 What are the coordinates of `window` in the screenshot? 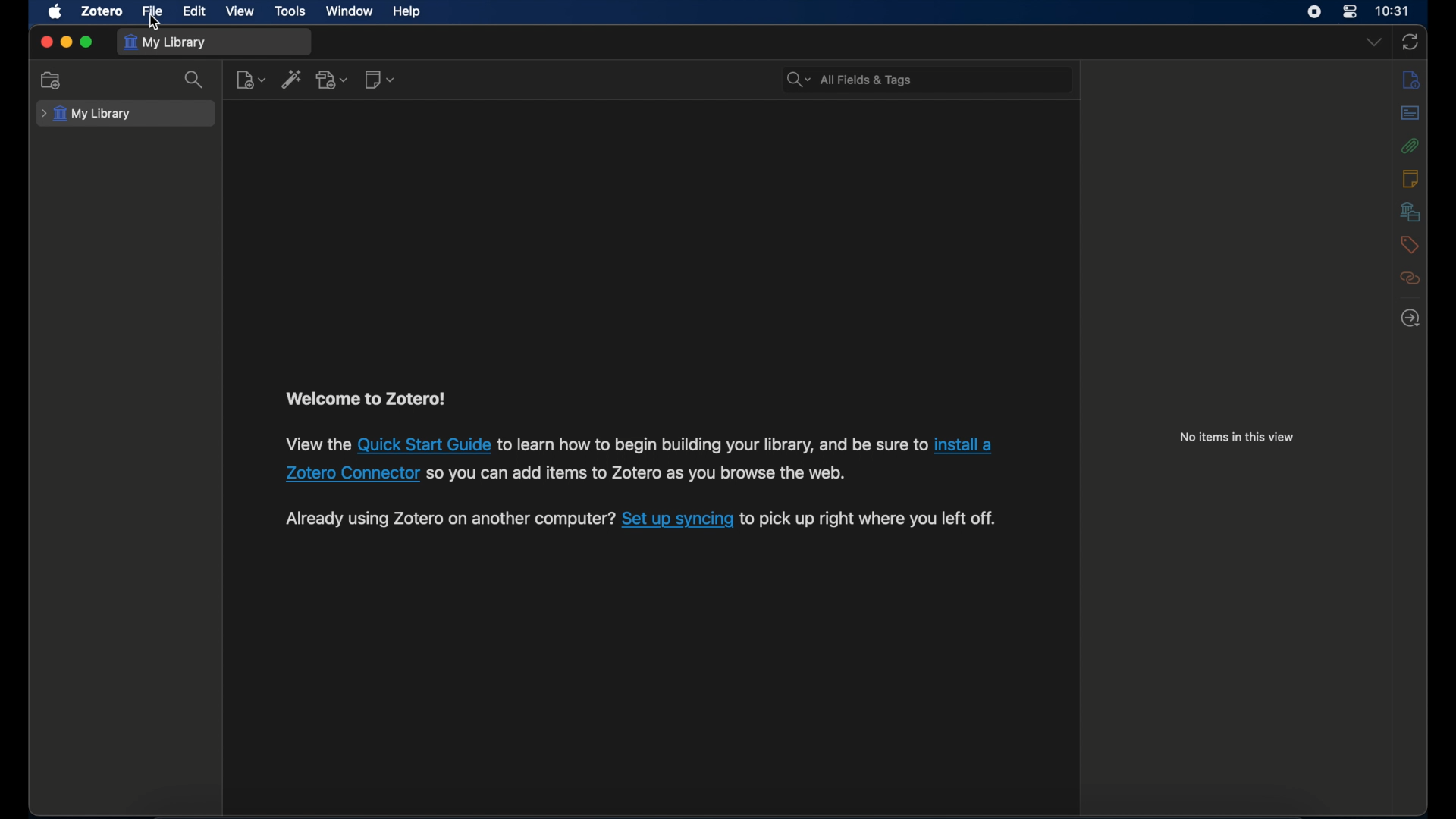 It's located at (350, 11).